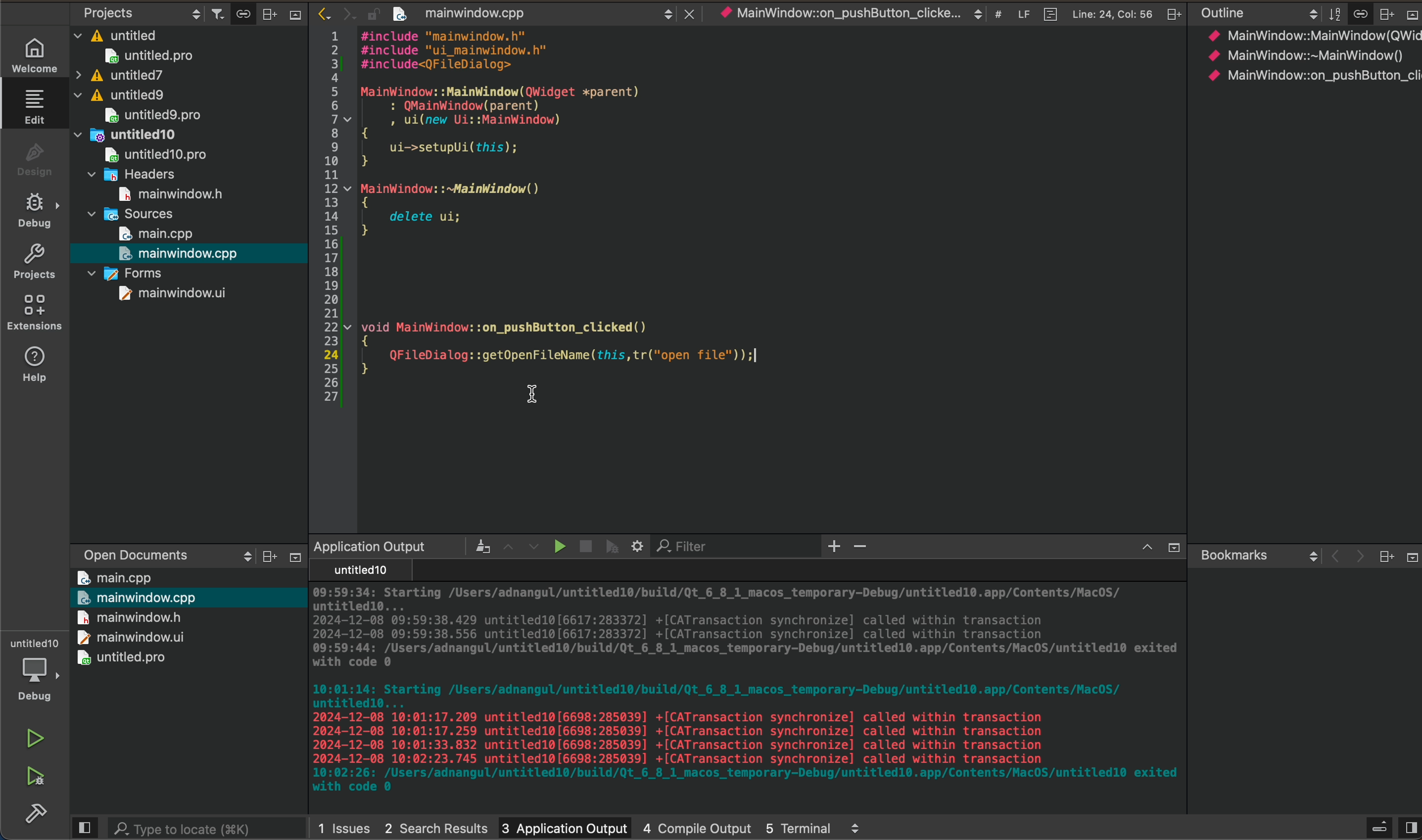  What do you see at coordinates (127, 636) in the screenshot?
I see `» mainwindow. ui` at bounding box center [127, 636].